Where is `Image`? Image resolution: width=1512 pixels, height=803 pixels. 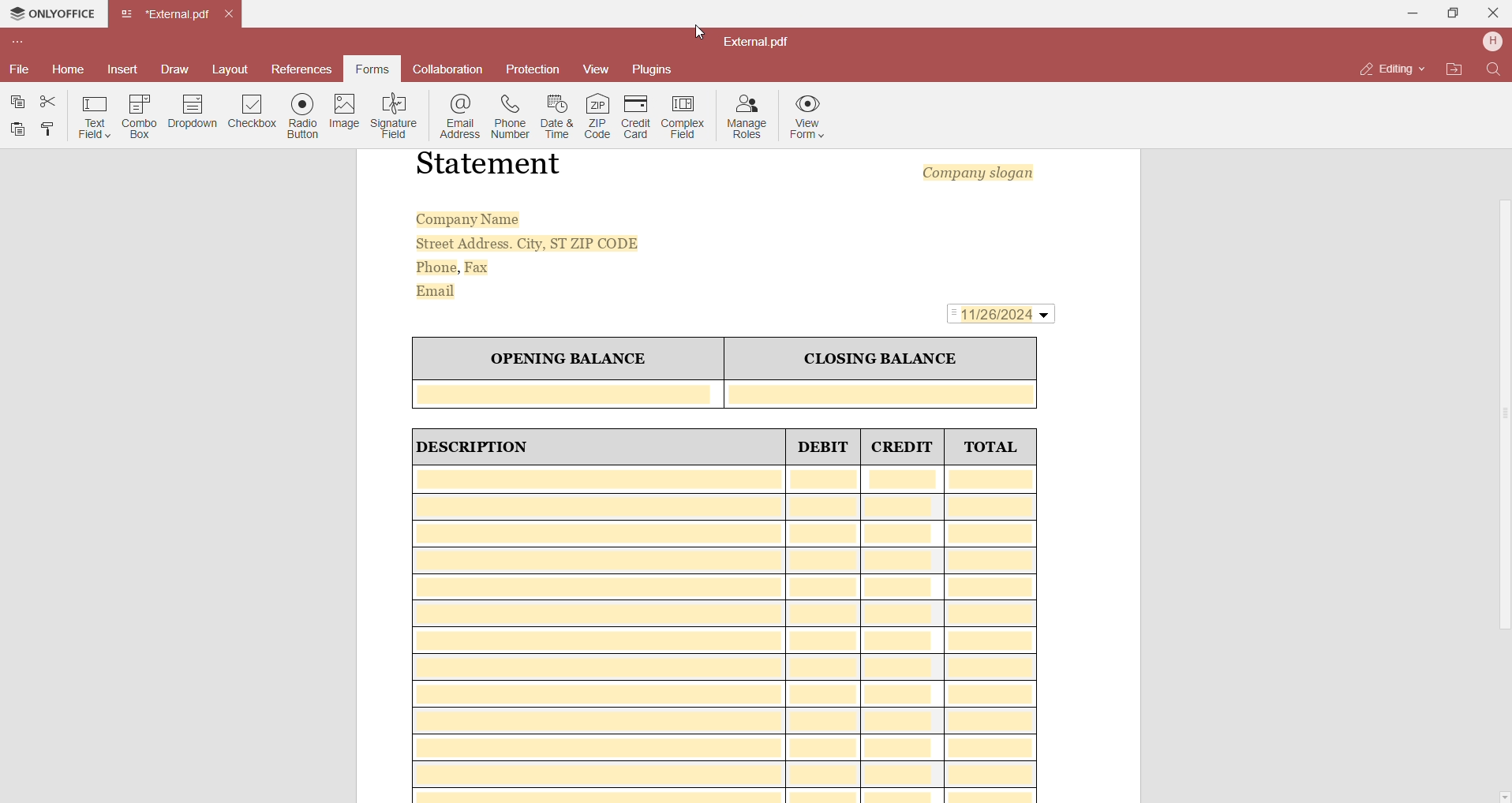
Image is located at coordinates (344, 111).